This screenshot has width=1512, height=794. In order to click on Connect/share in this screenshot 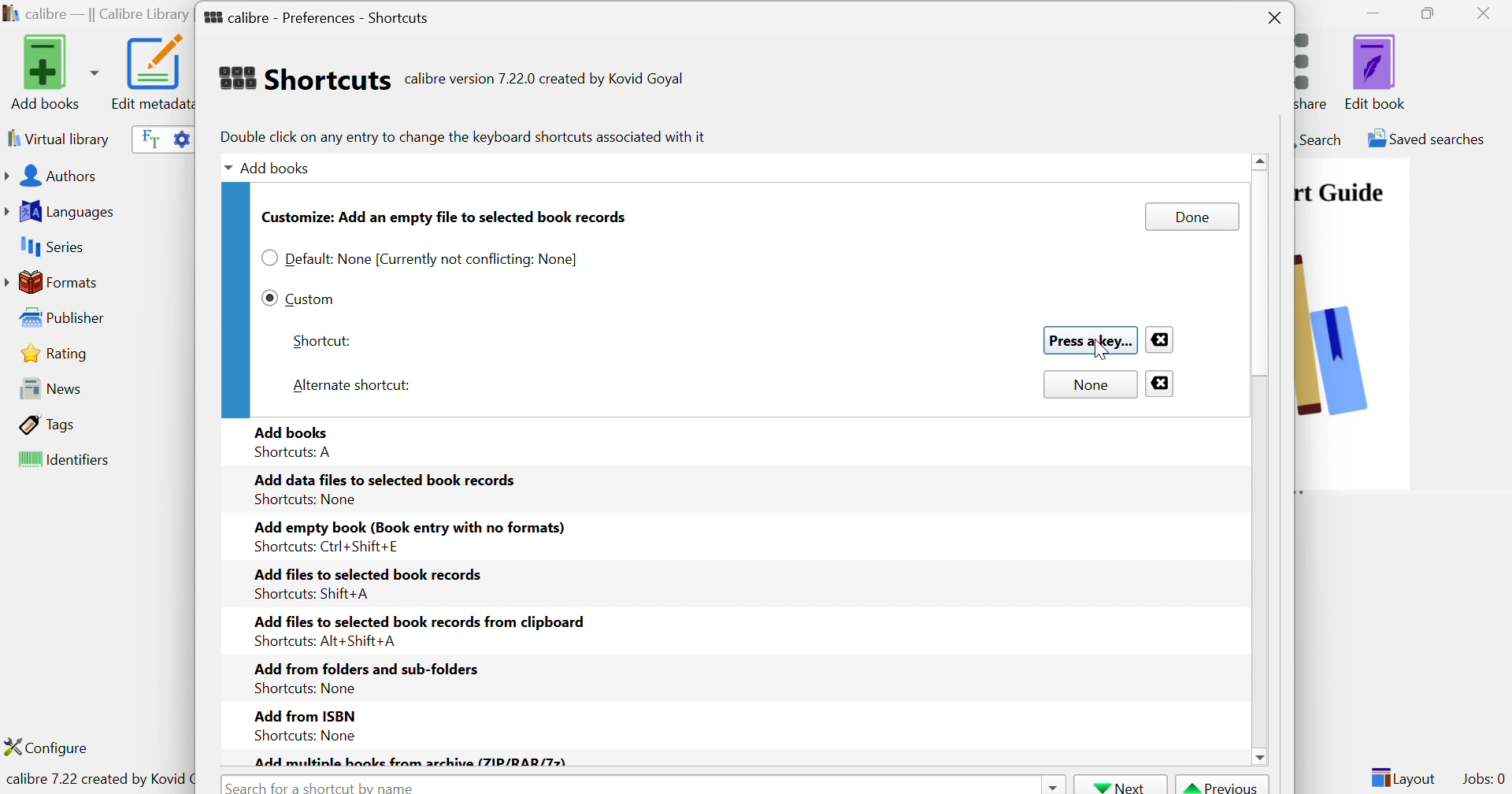, I will do `click(1316, 68)`.